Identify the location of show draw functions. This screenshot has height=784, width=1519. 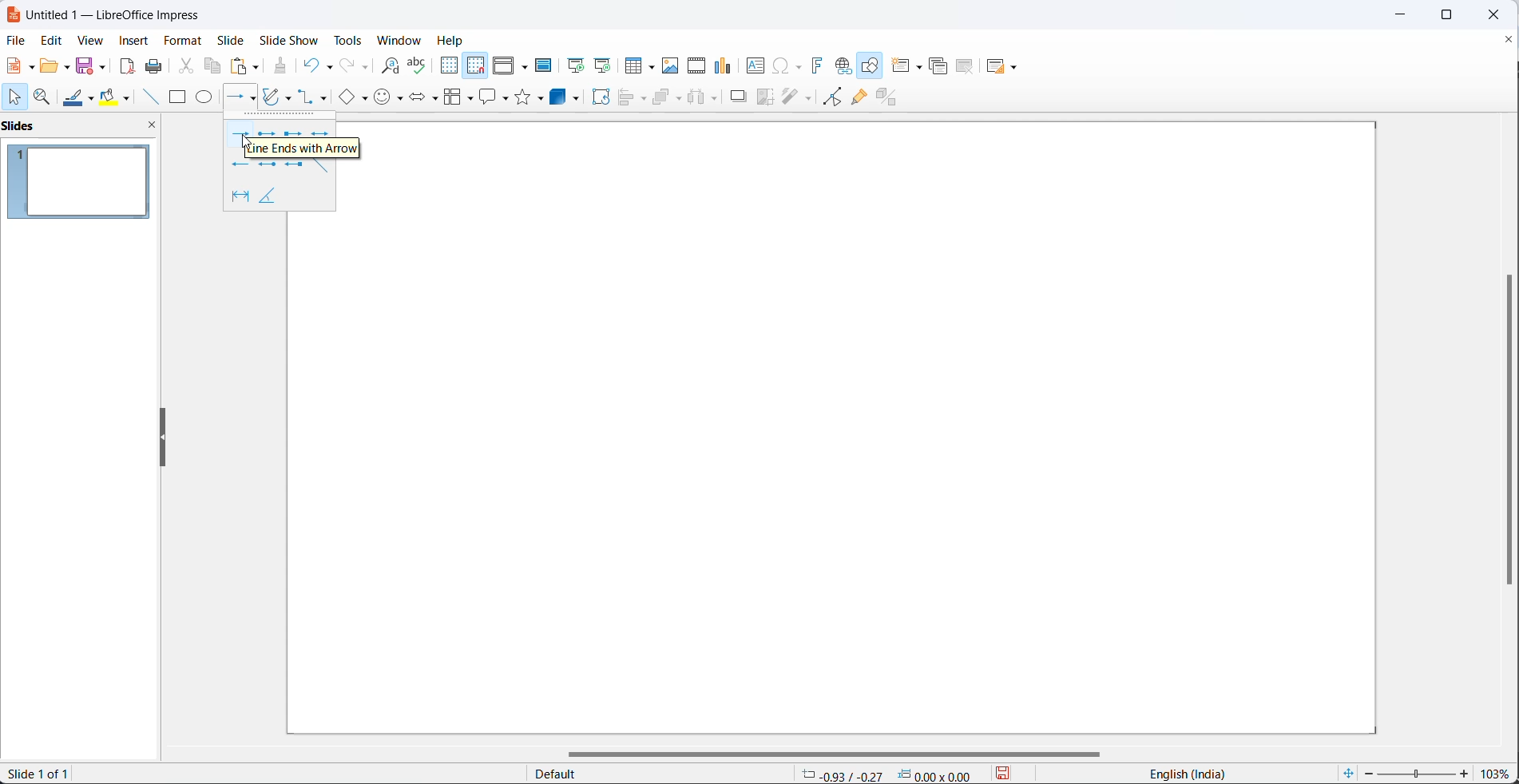
(871, 65).